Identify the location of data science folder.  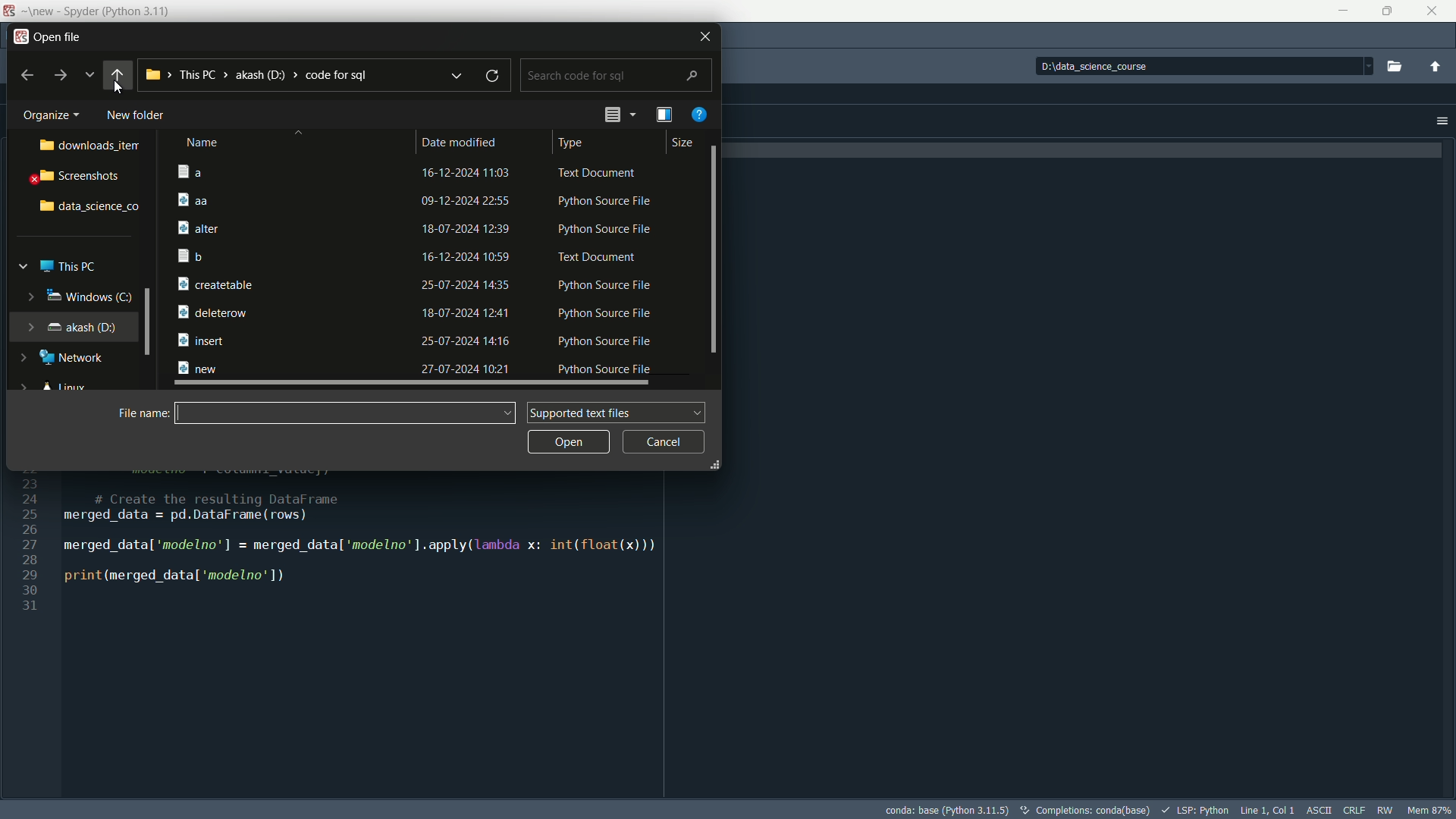
(86, 208).